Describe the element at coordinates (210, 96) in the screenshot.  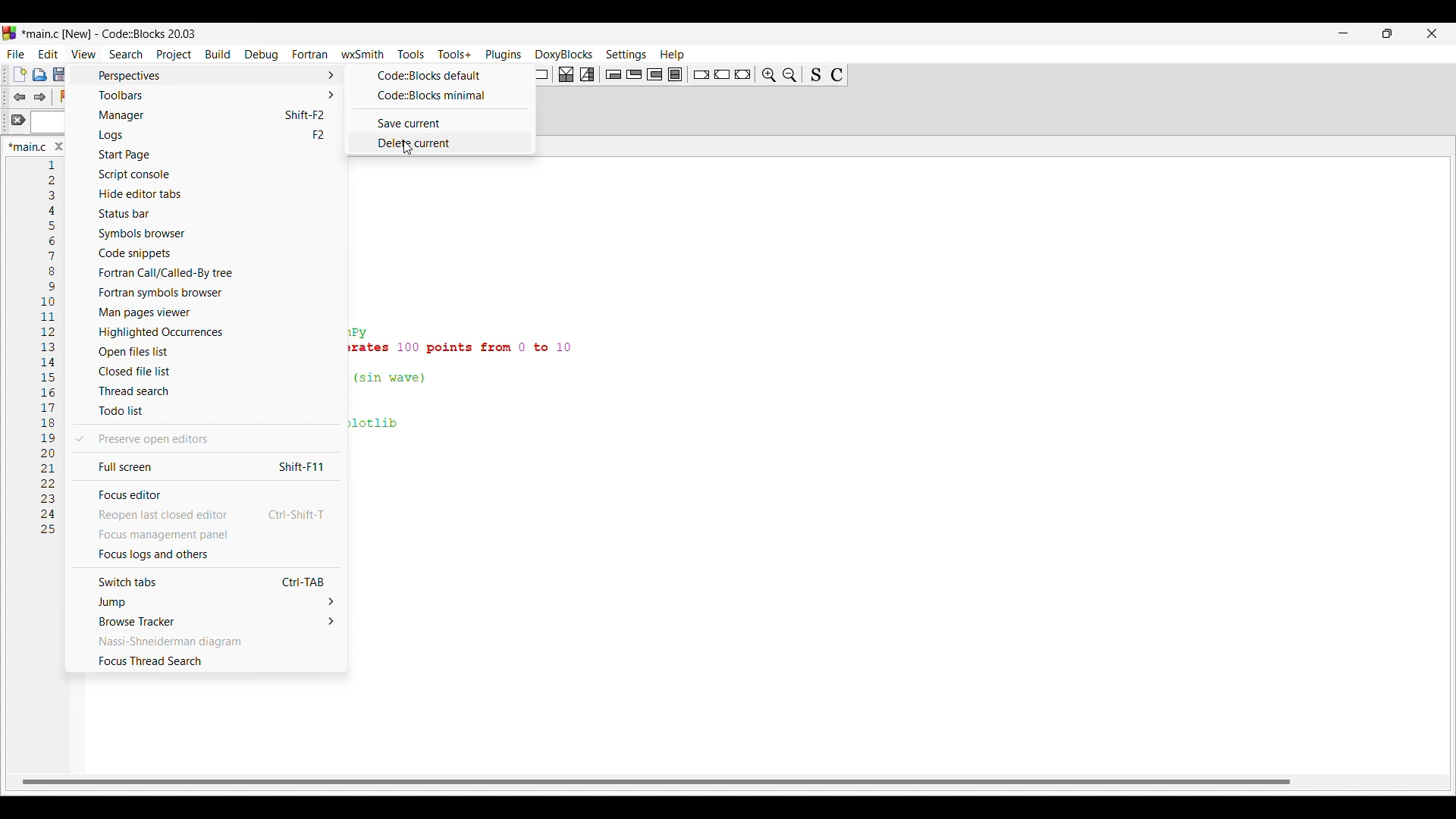
I see `Toolbar options` at that location.